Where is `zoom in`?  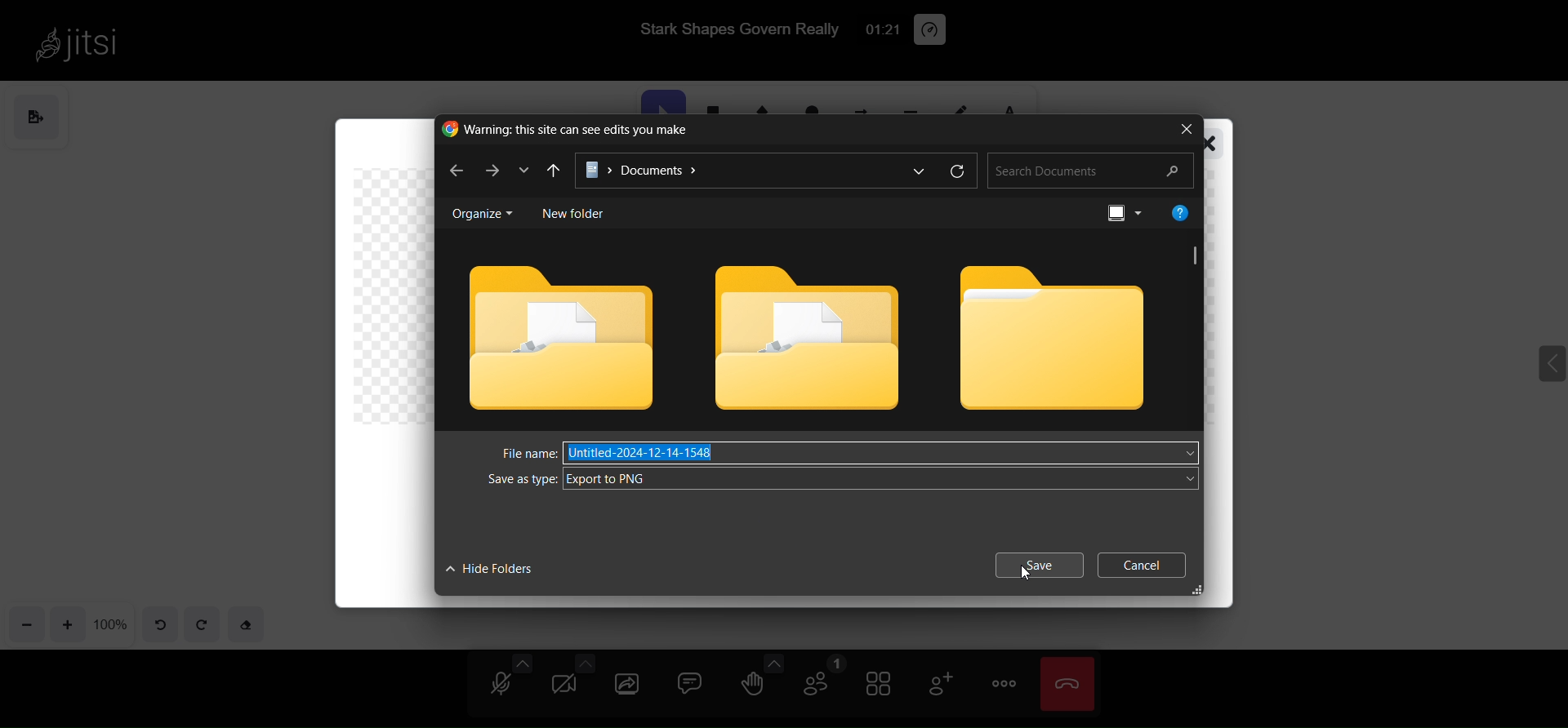
zoom in is located at coordinates (67, 624).